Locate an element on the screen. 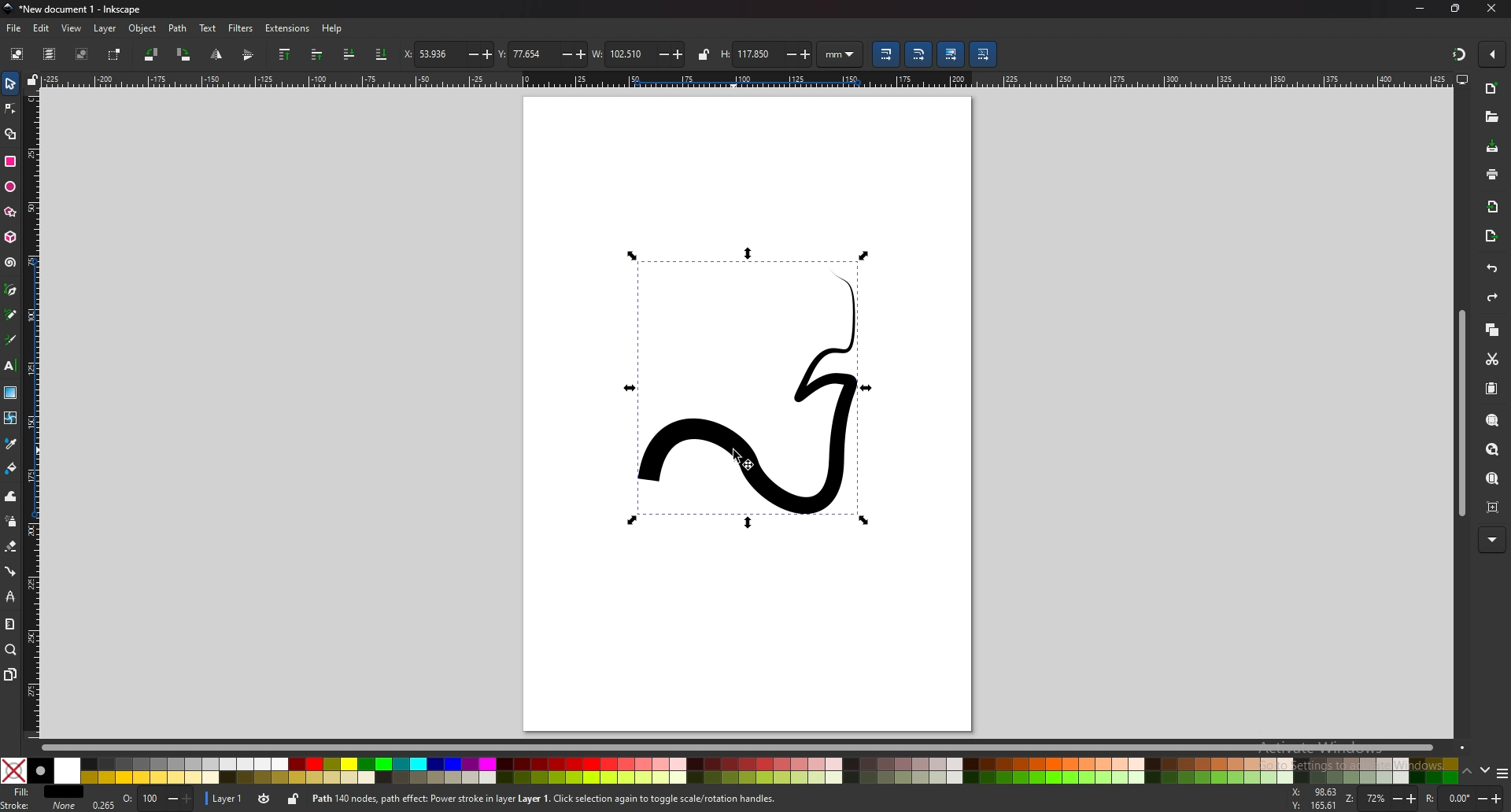 This screenshot has height=812, width=1511. flip vertically is located at coordinates (216, 55).